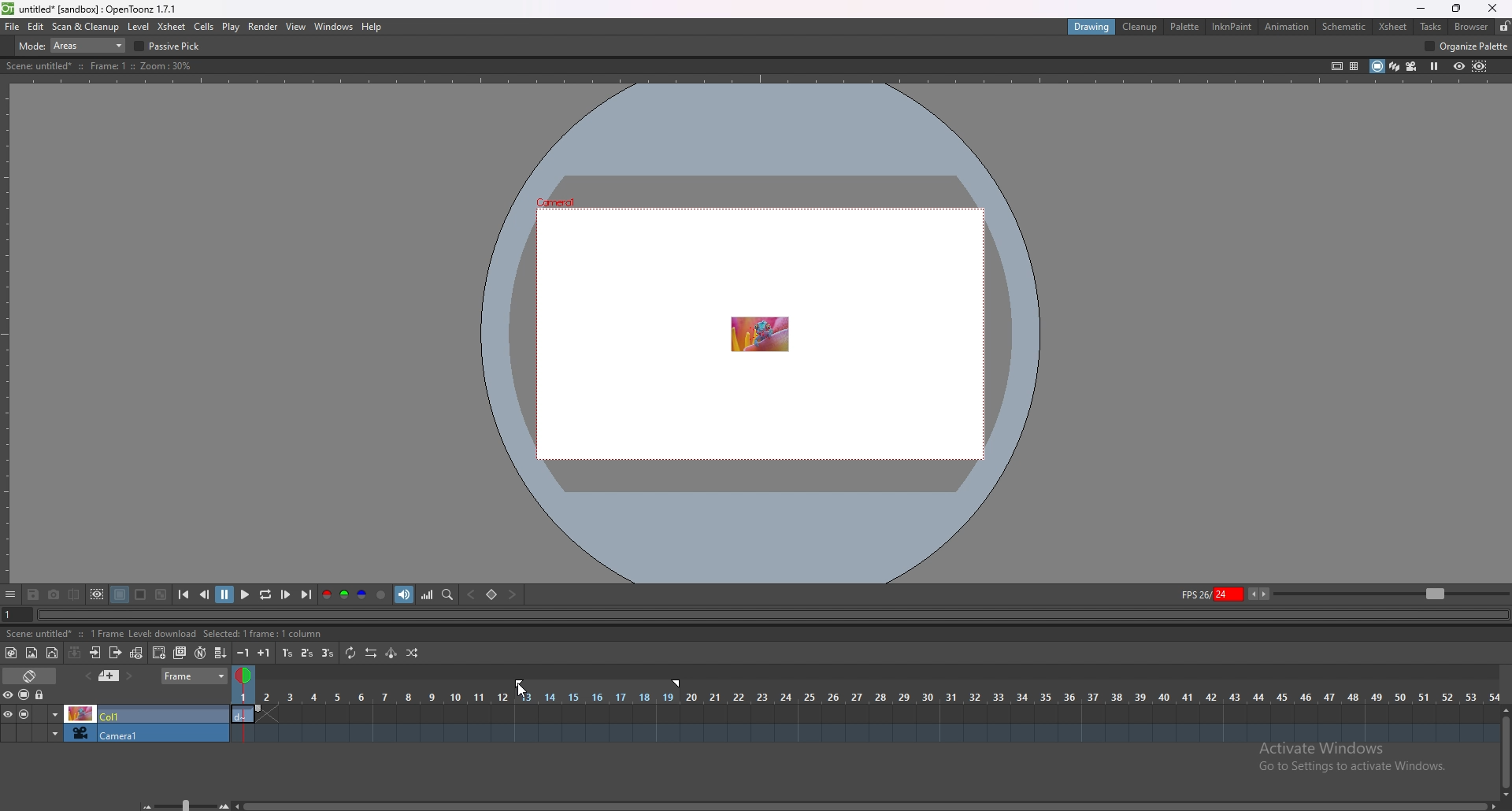 The image size is (1512, 811). Describe the element at coordinates (231, 28) in the screenshot. I see `play` at that location.